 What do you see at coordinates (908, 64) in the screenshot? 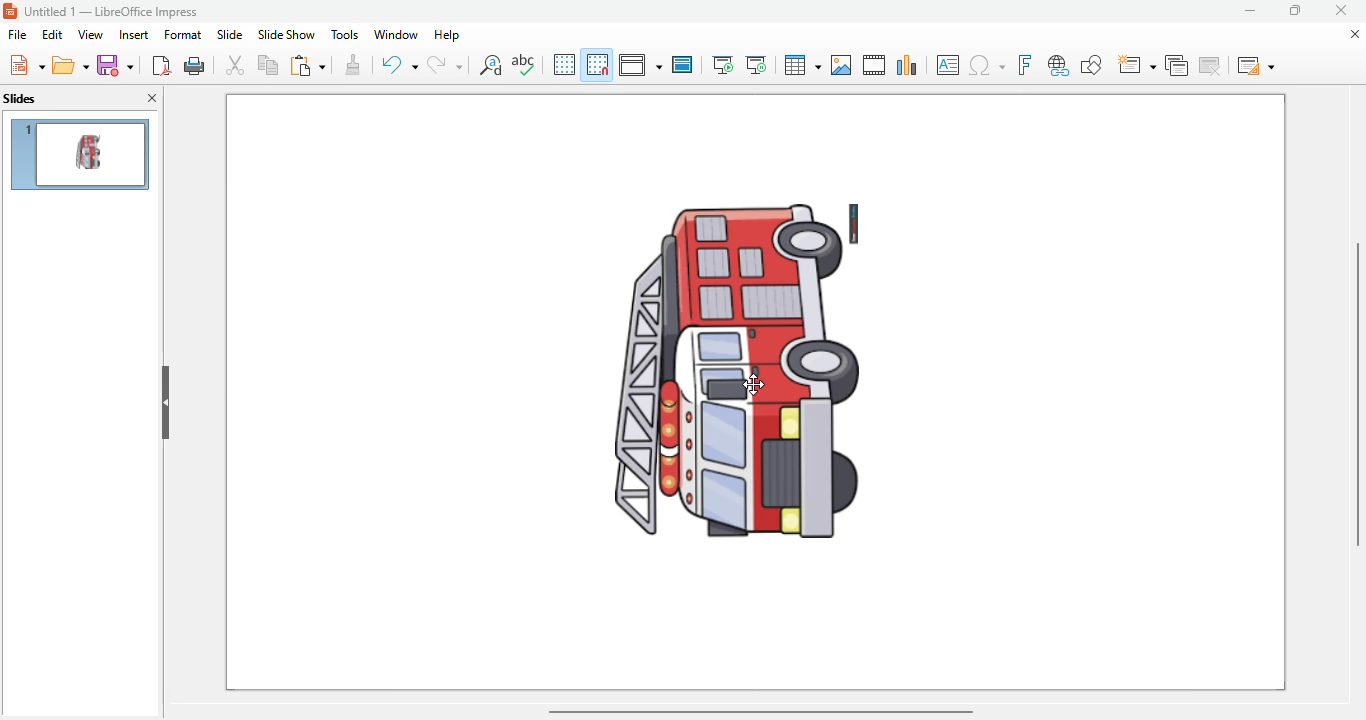
I see `insert chart` at bounding box center [908, 64].